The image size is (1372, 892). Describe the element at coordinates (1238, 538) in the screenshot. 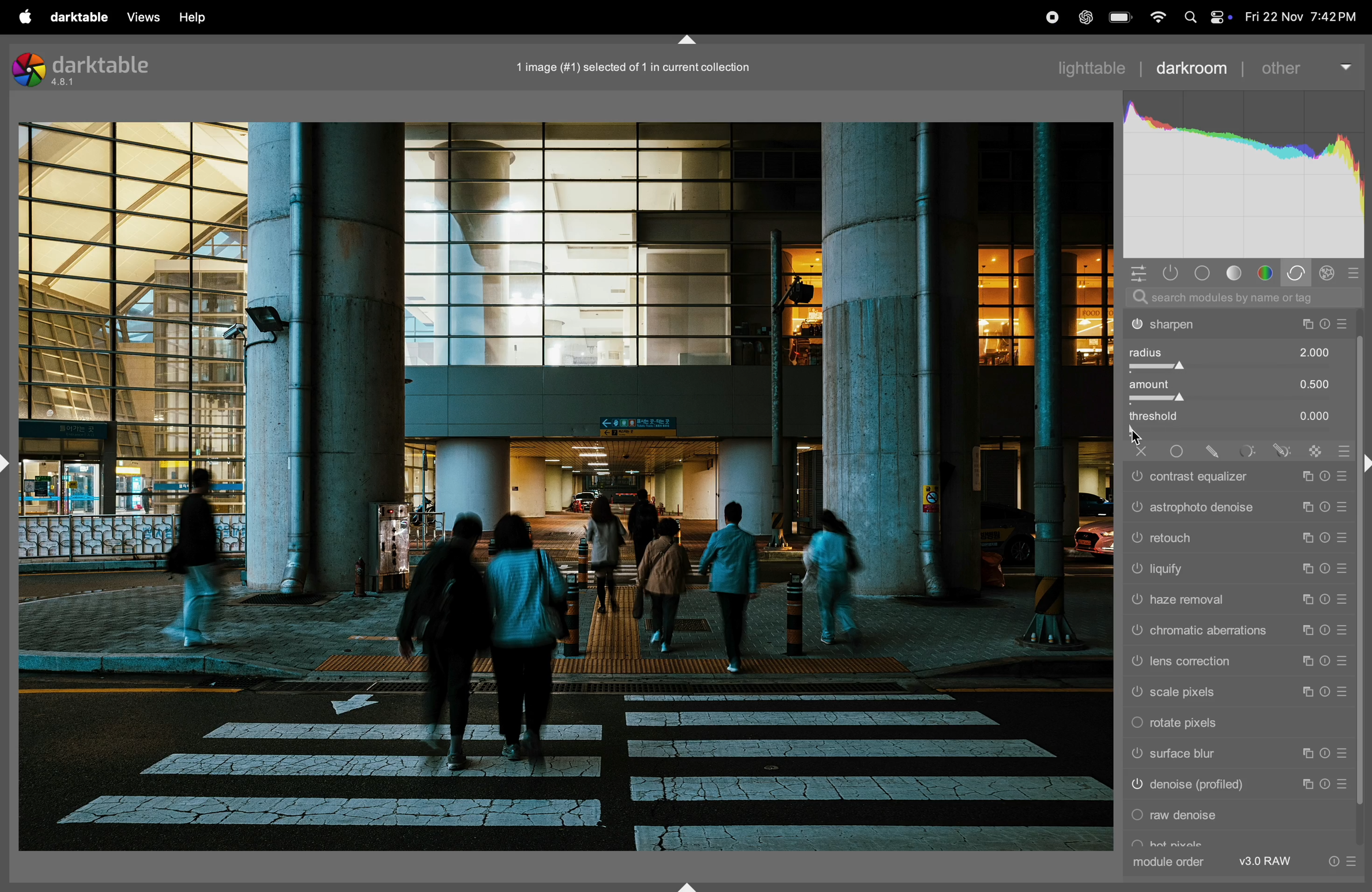

I see `retouch` at that location.